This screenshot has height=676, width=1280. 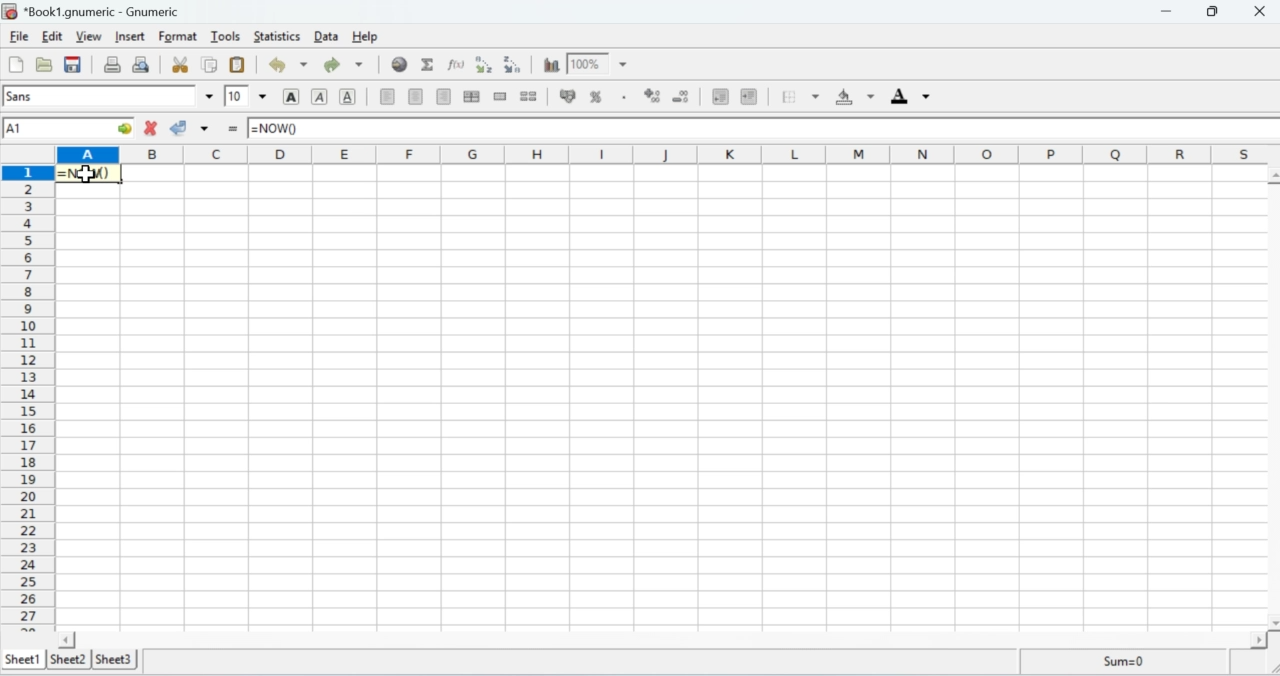 I want to click on Foreground, so click(x=909, y=97).